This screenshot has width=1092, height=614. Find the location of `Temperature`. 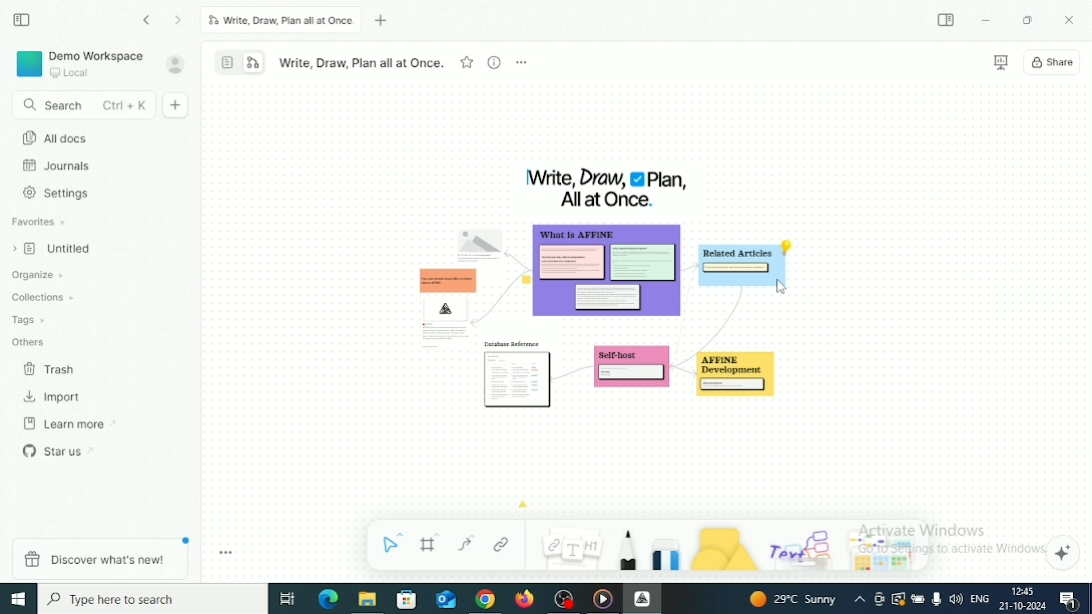

Temperature is located at coordinates (795, 599).